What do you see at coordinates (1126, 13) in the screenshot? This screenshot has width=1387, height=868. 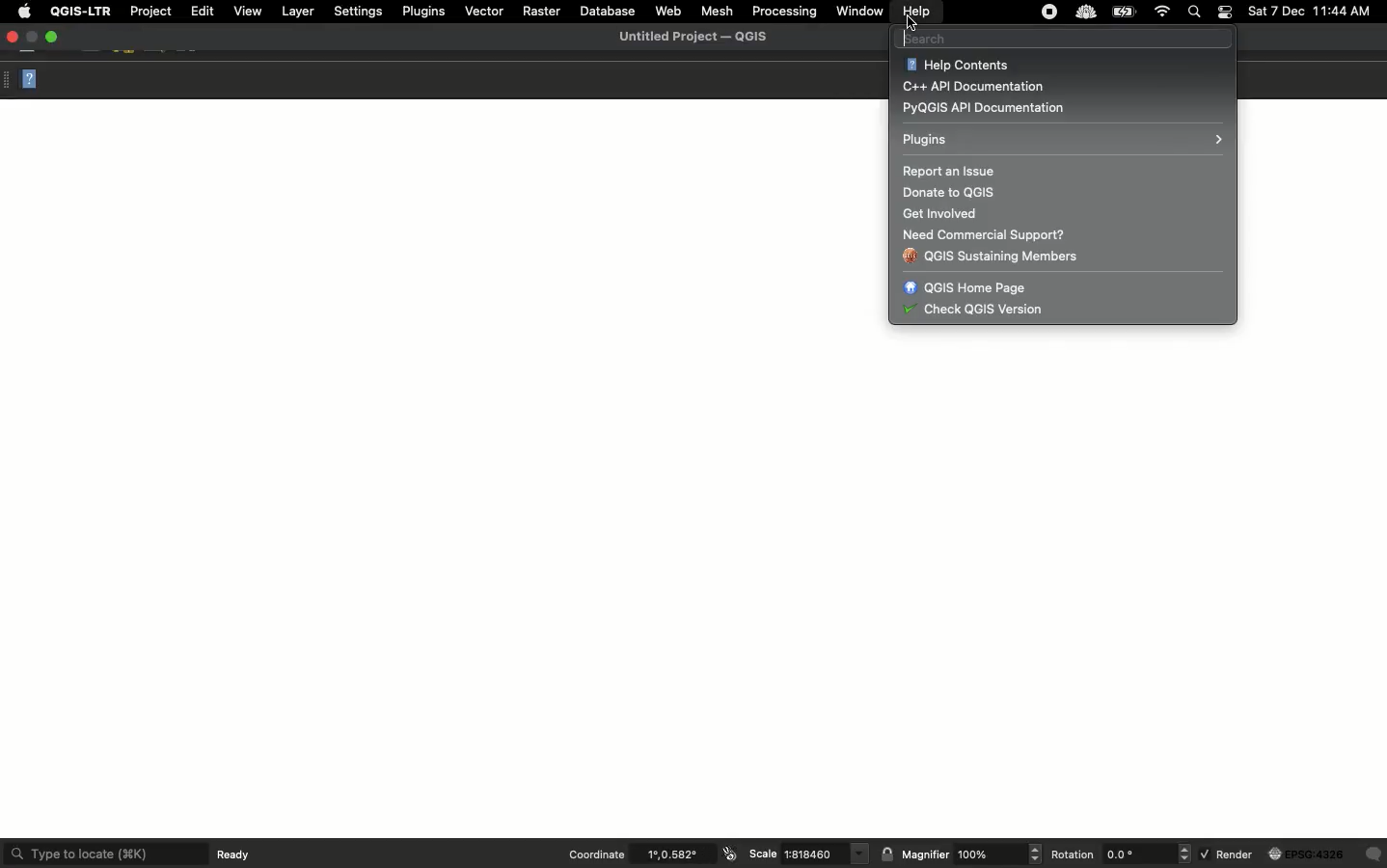 I see `Charge` at bounding box center [1126, 13].